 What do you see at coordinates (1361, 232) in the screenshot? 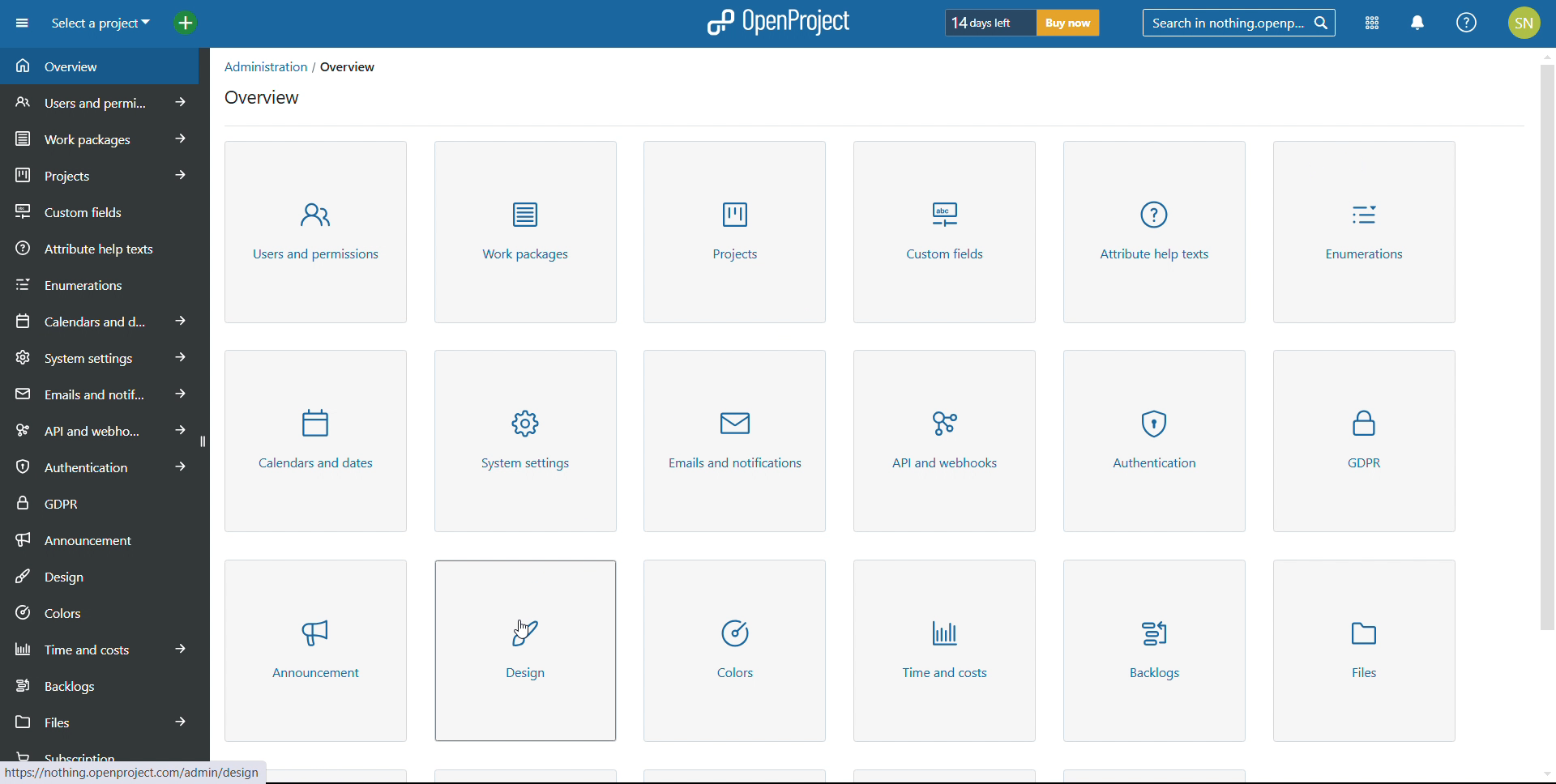
I see `enumerations` at bounding box center [1361, 232].